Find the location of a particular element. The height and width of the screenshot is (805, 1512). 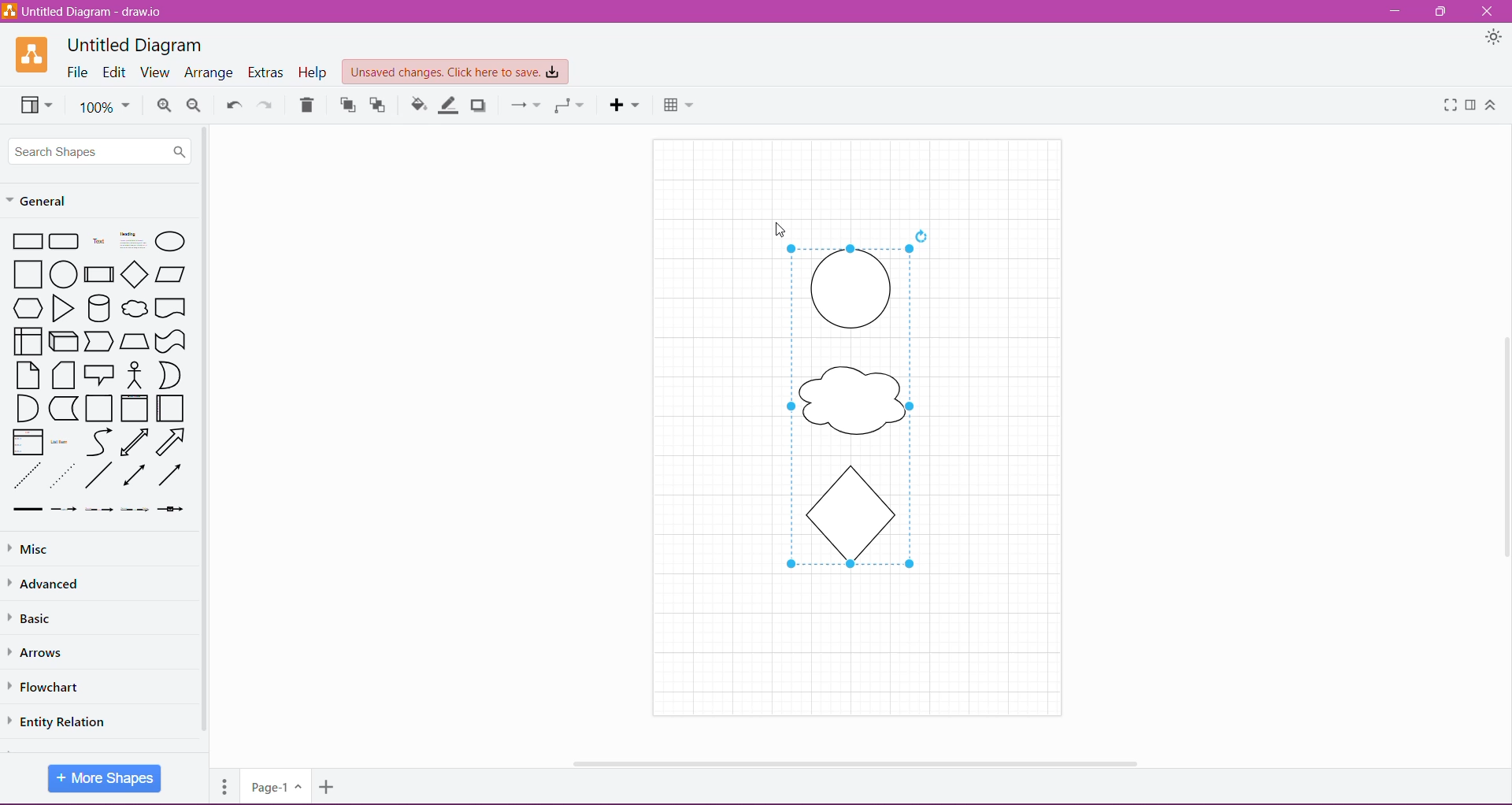

Fill Color is located at coordinates (419, 105).